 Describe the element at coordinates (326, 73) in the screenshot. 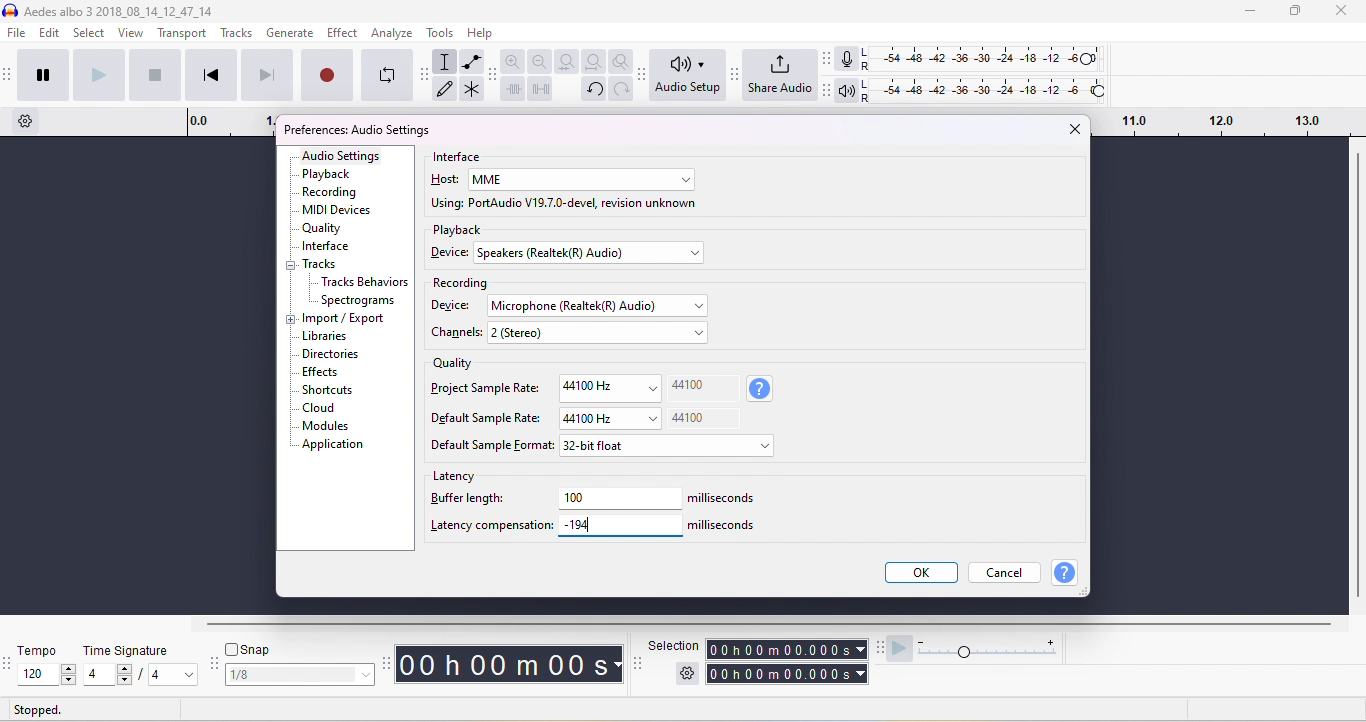

I see `record` at that location.